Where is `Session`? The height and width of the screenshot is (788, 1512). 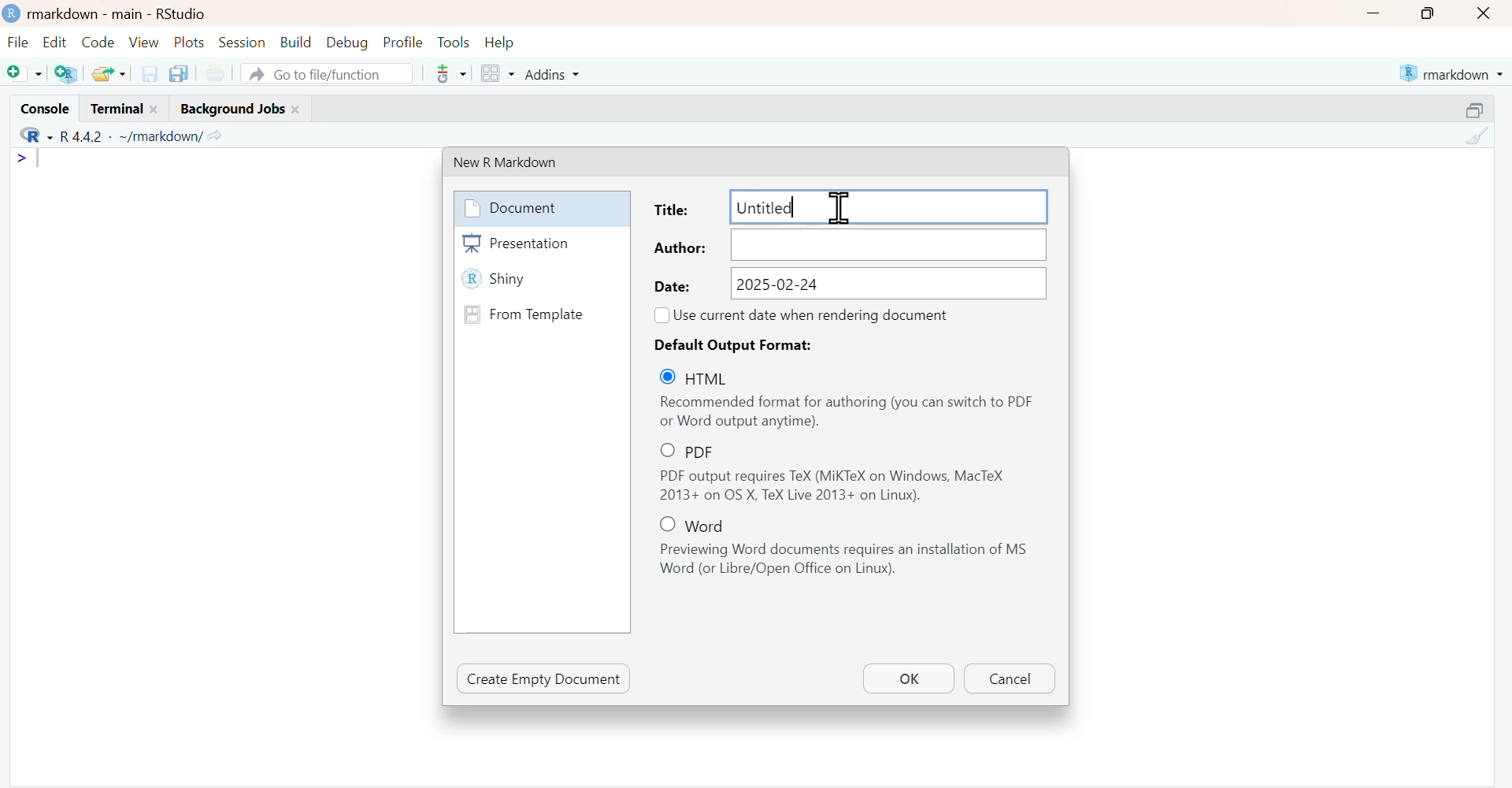 Session is located at coordinates (243, 43).